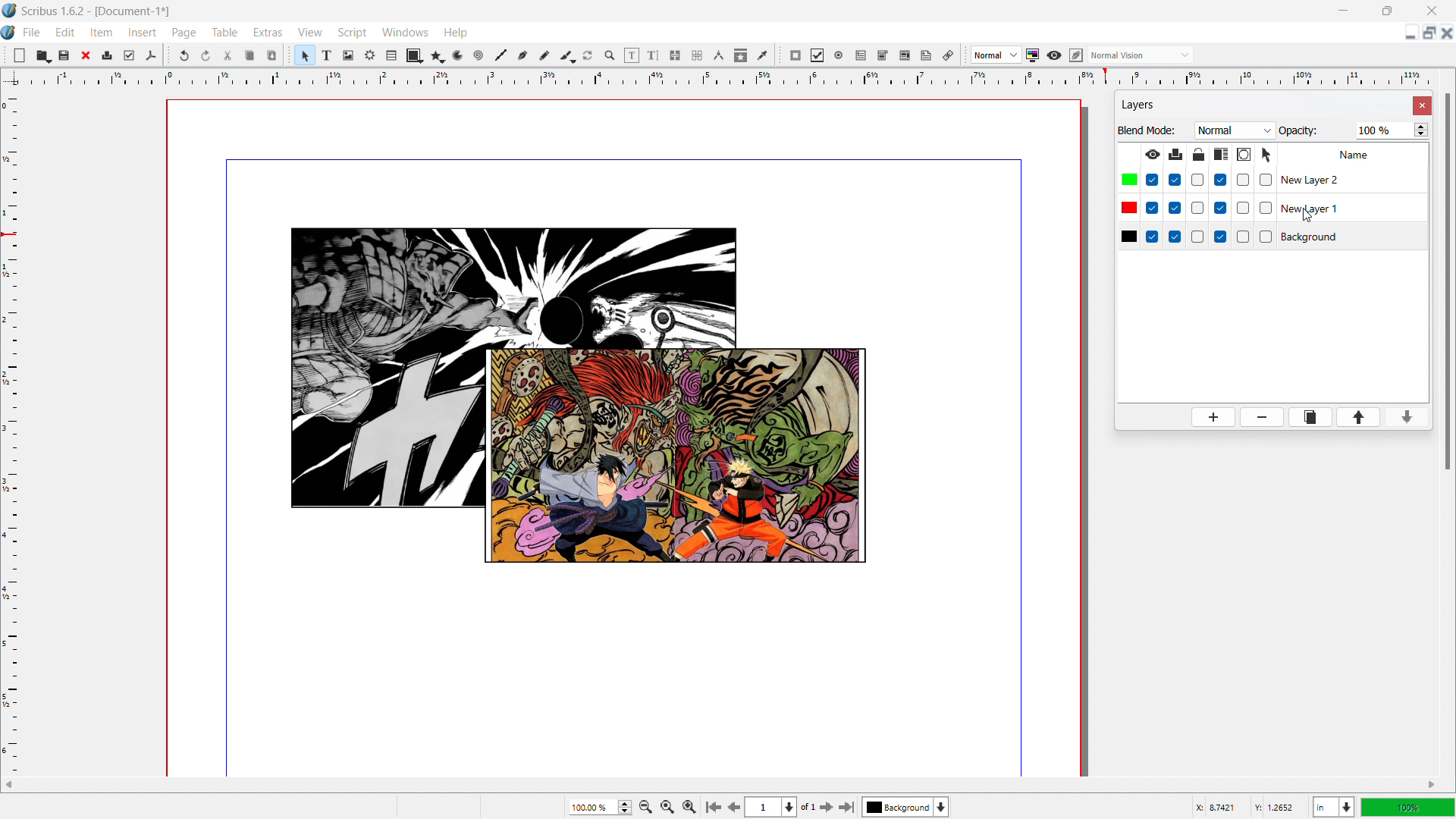 This screenshot has height=819, width=1456. What do you see at coordinates (328, 55) in the screenshot?
I see `text frame` at bounding box center [328, 55].